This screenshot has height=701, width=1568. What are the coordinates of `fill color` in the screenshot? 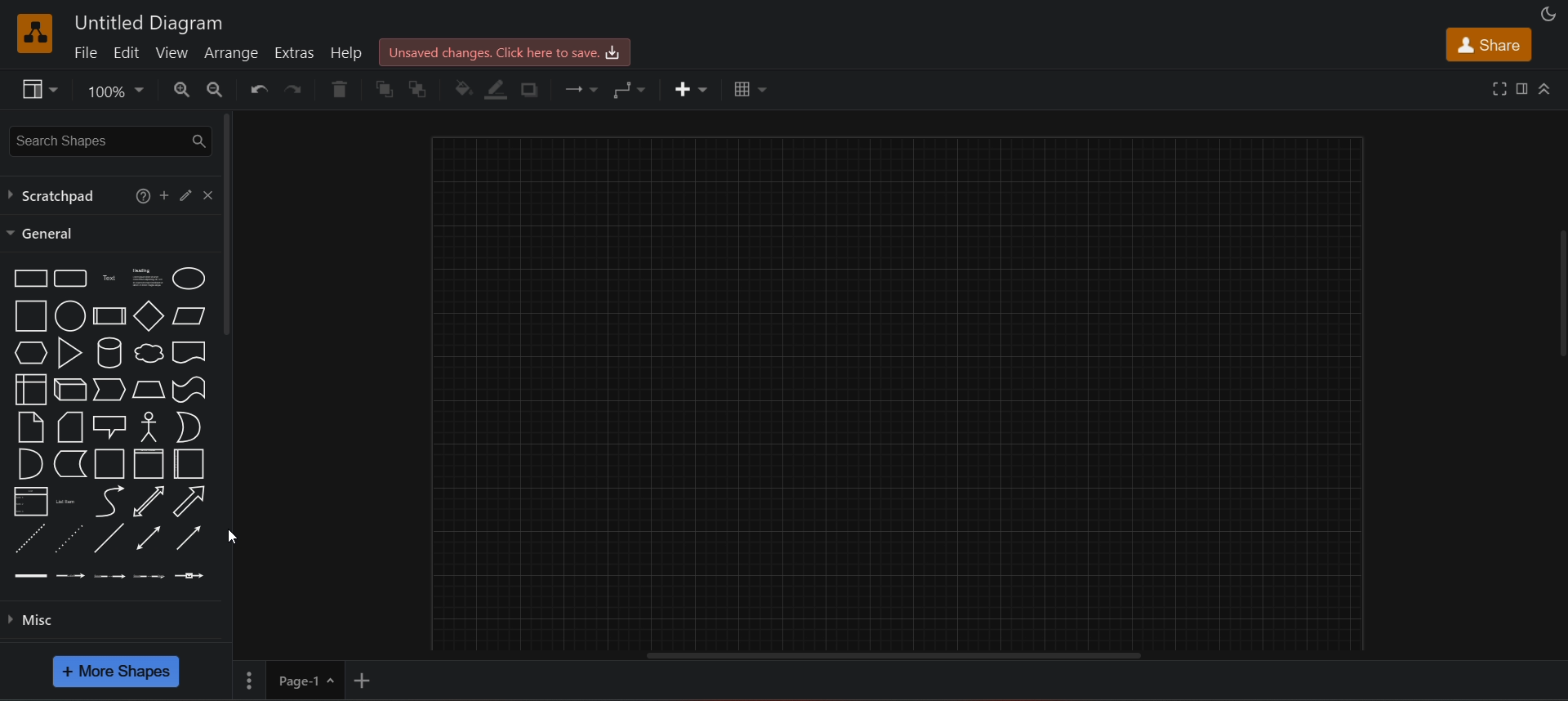 It's located at (463, 89).